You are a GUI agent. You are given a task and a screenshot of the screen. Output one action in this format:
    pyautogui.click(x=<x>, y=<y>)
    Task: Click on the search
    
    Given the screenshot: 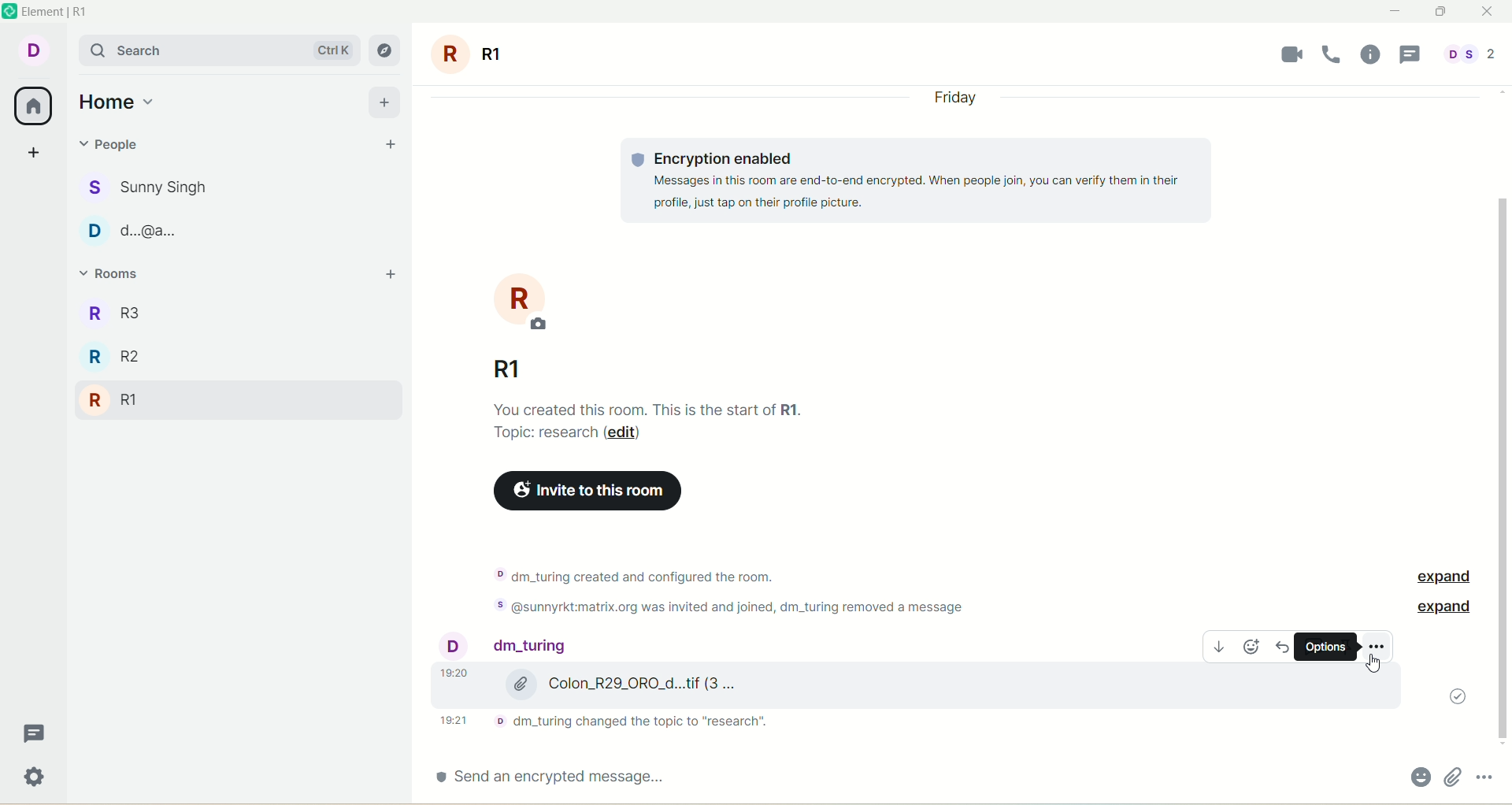 What is the action you would take?
    pyautogui.click(x=218, y=50)
    